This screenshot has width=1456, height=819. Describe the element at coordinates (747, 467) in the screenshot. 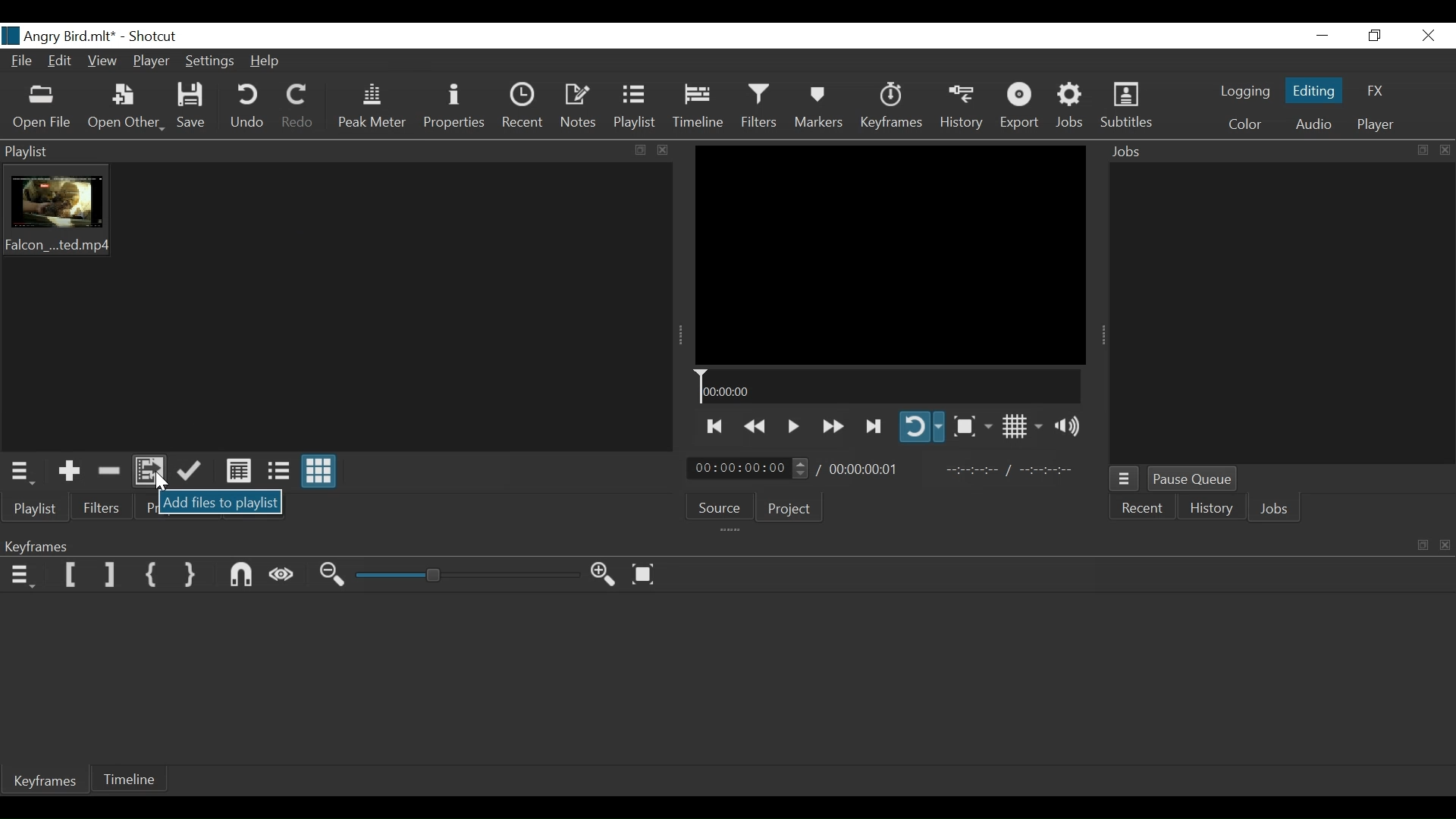

I see `Current Duration` at that location.